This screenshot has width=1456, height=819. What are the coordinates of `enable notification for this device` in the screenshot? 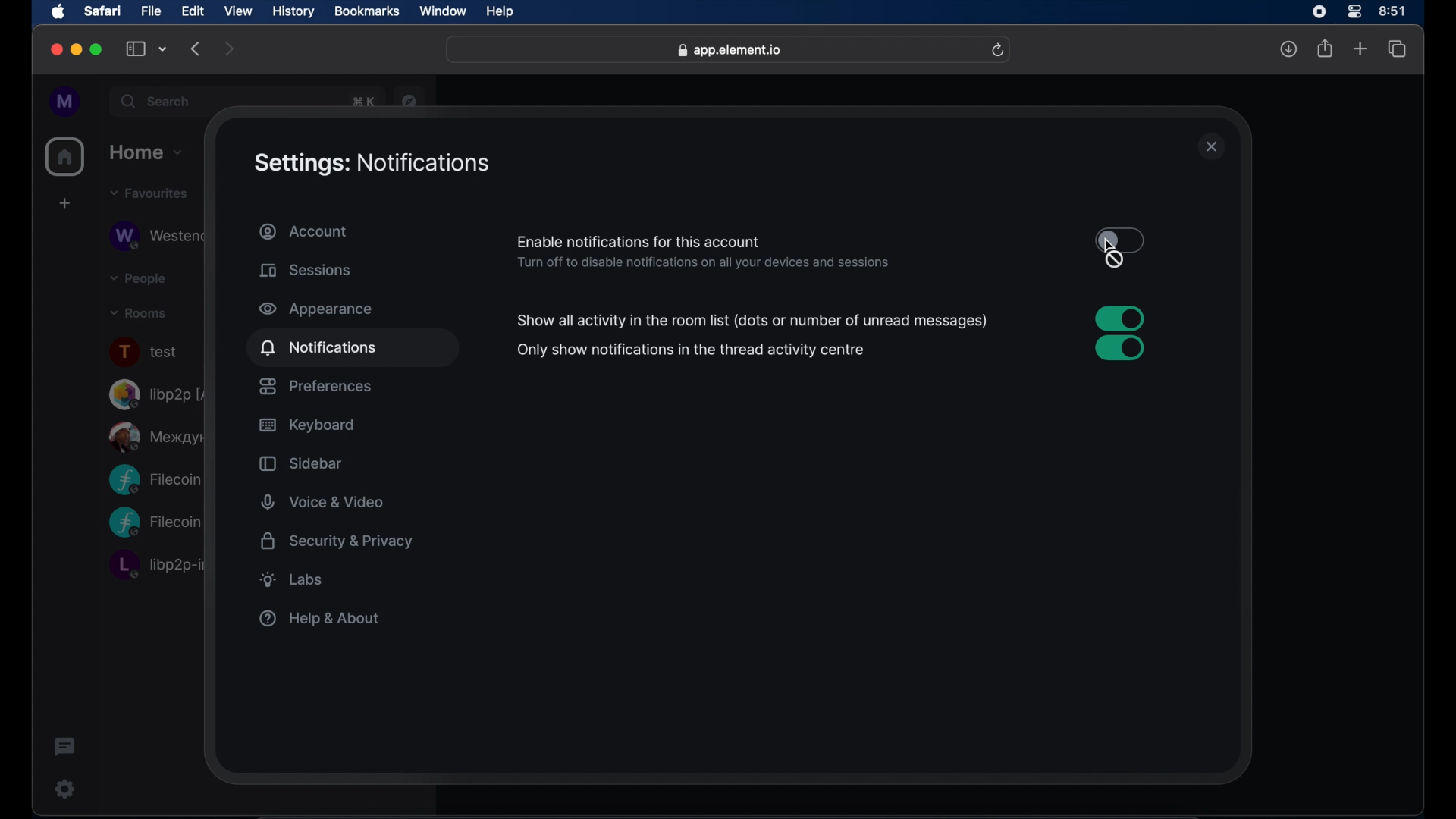 It's located at (716, 350).